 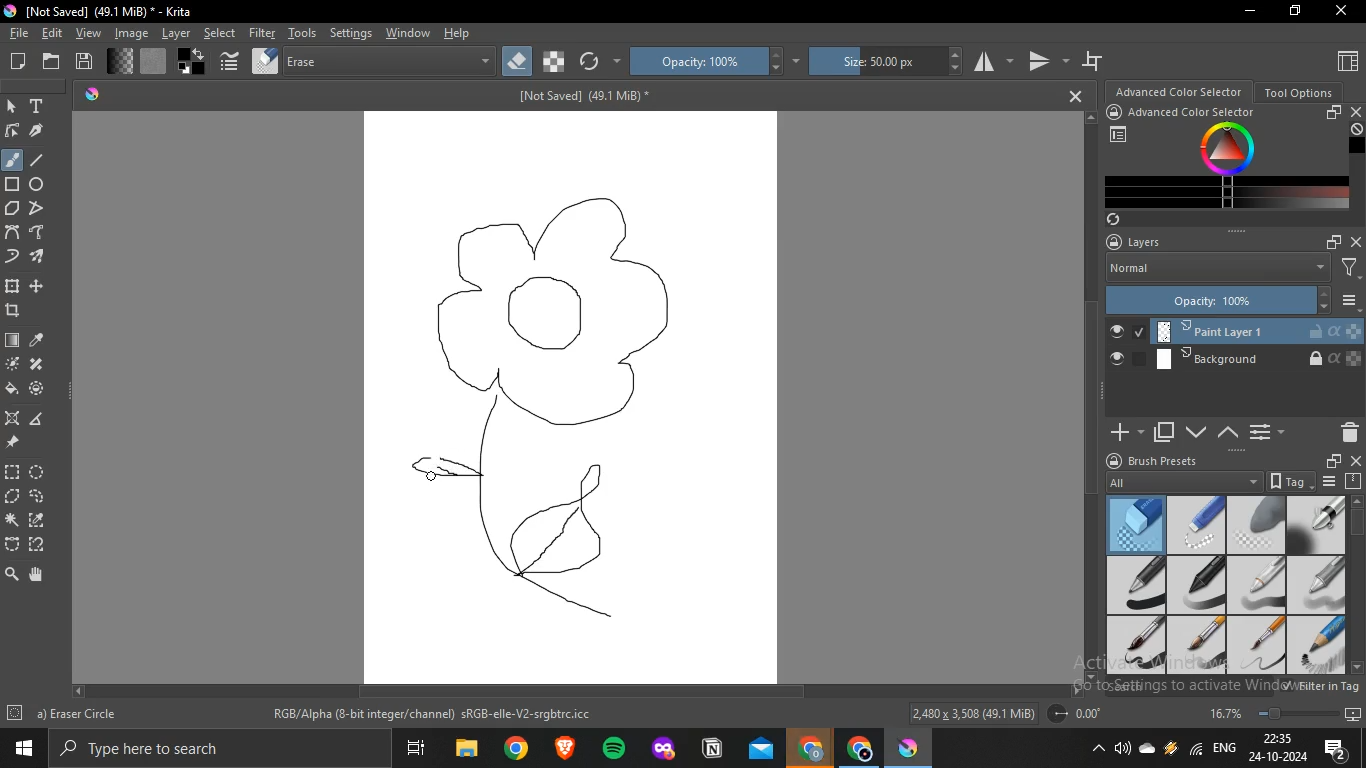 I want to click on edit, so click(x=51, y=34).